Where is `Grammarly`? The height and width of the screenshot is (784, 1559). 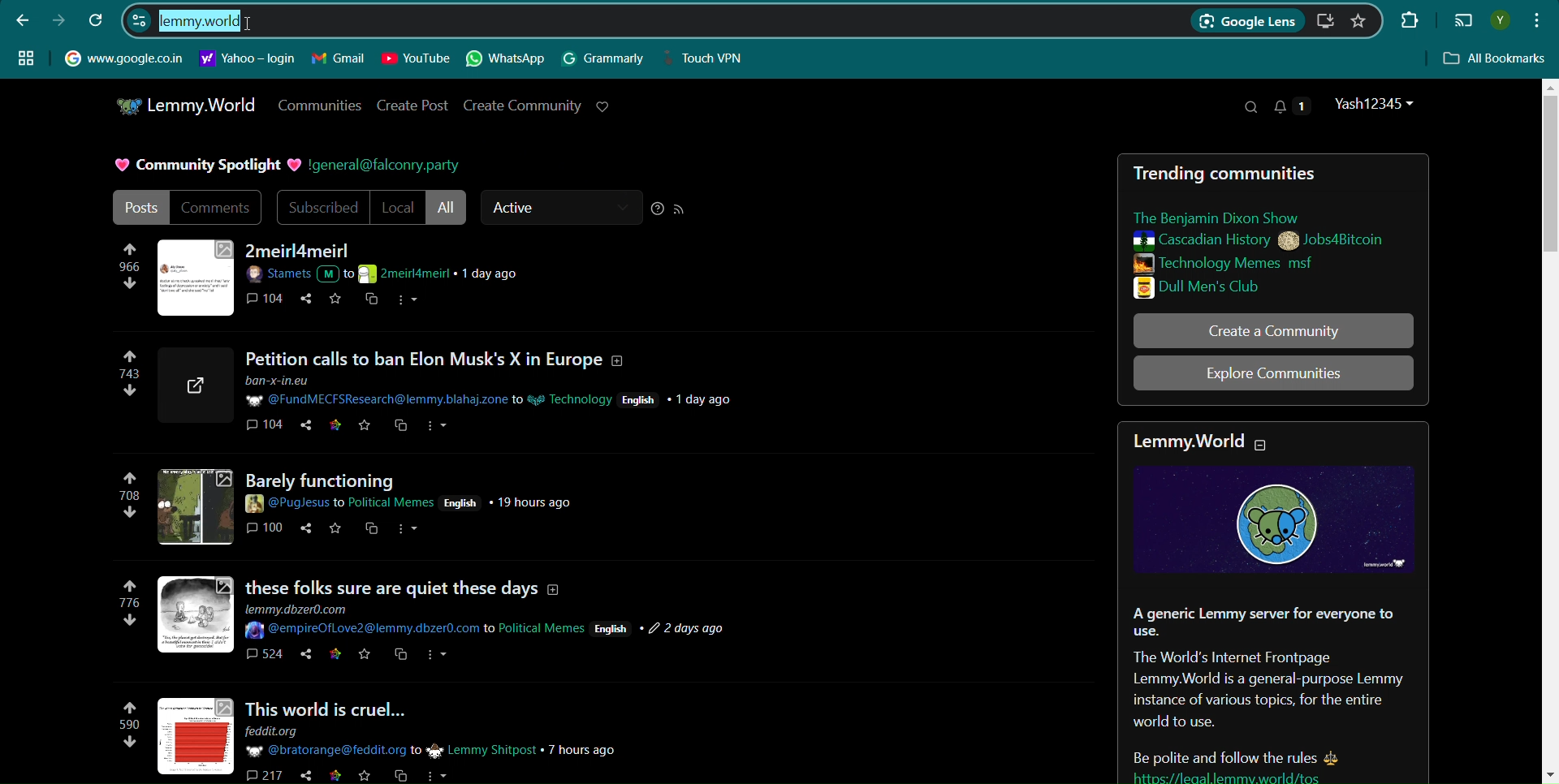
Grammarly is located at coordinates (604, 58).